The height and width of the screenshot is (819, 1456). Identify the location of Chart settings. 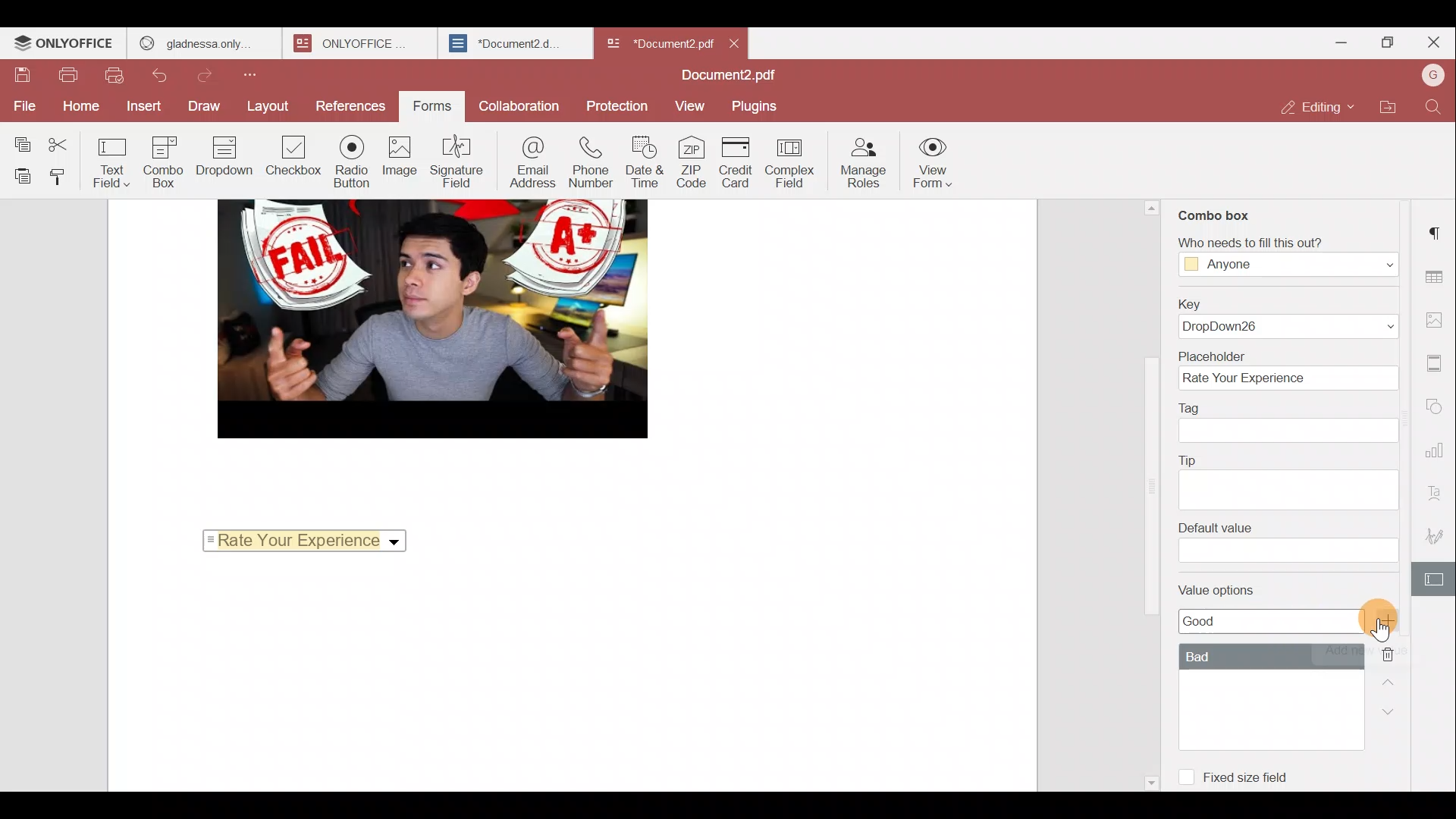
(1439, 452).